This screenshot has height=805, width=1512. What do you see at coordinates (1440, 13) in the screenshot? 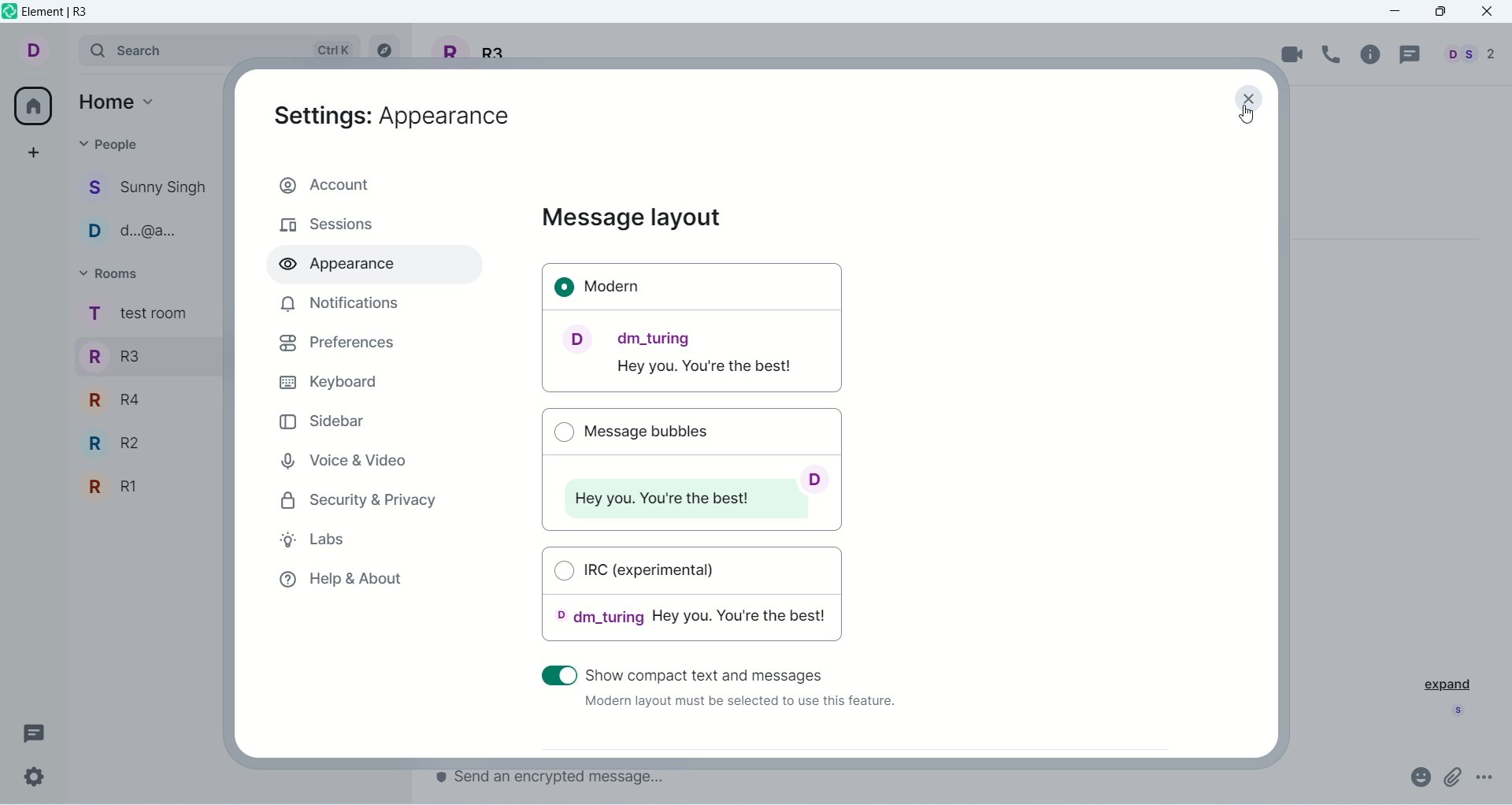
I see `maximize` at bounding box center [1440, 13].